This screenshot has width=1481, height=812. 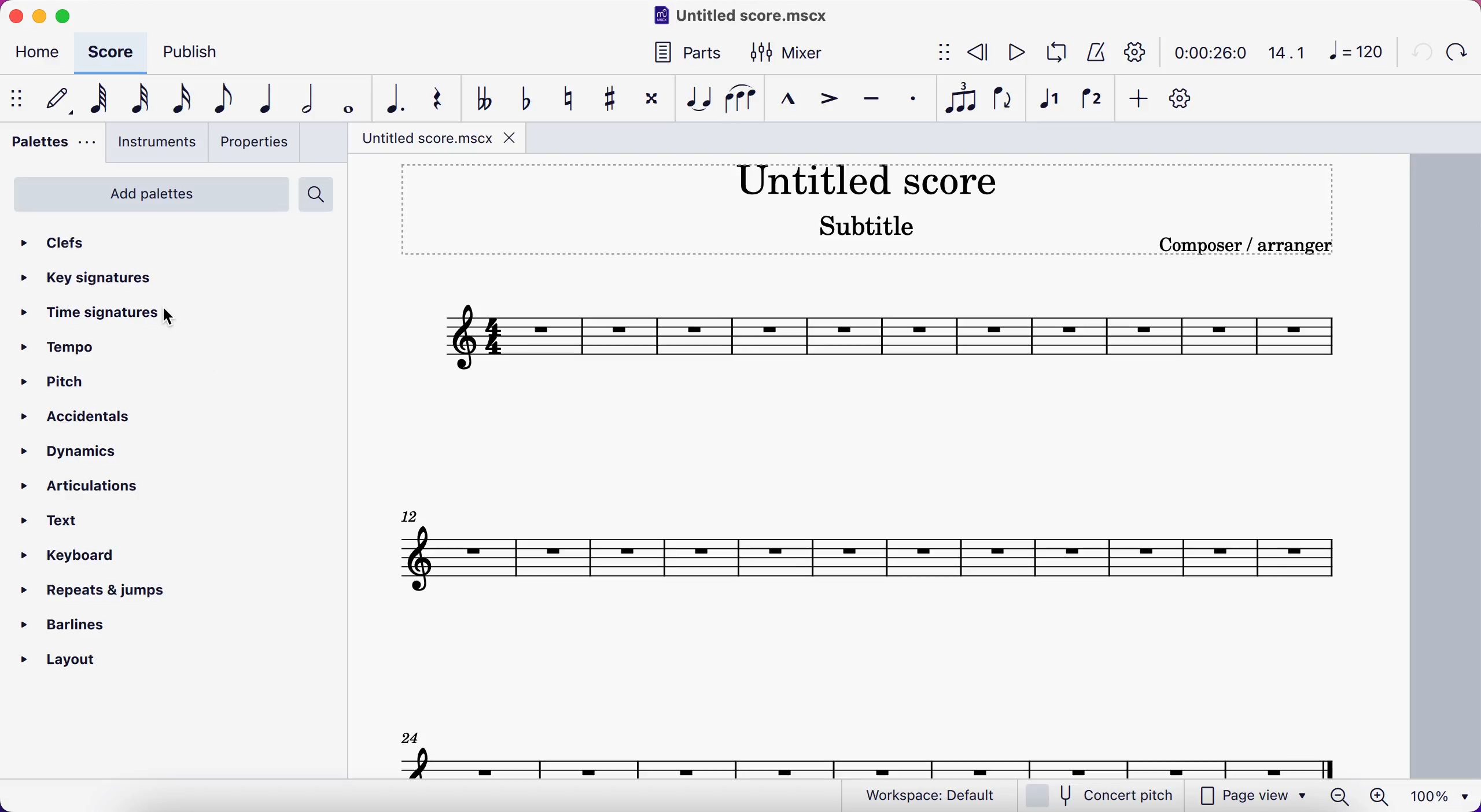 I want to click on Subtitle, so click(x=868, y=223).